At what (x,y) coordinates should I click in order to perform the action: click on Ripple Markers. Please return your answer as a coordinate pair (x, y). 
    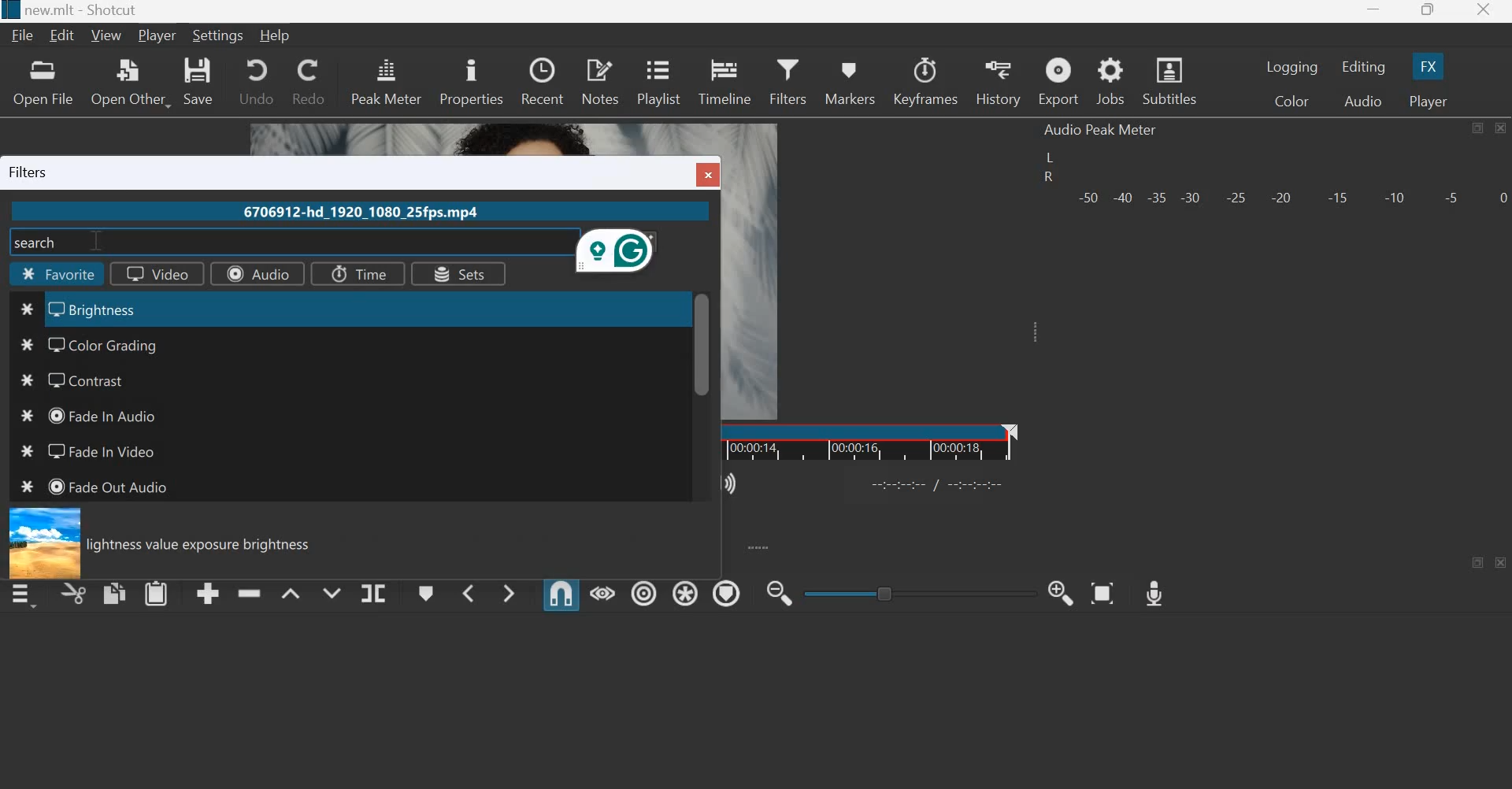
    Looking at the image, I should click on (726, 593).